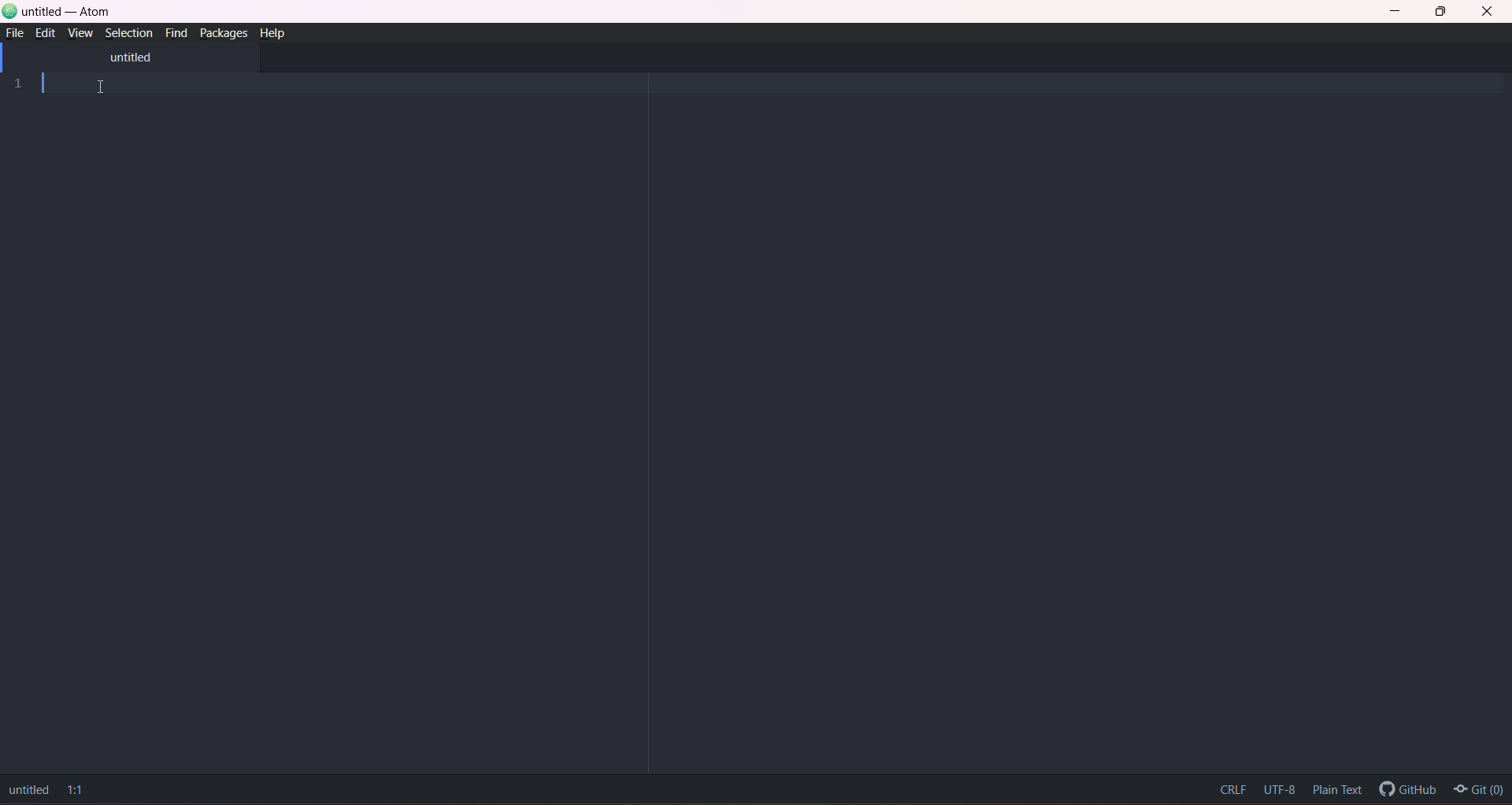  Describe the element at coordinates (103, 88) in the screenshot. I see `cursor` at that location.